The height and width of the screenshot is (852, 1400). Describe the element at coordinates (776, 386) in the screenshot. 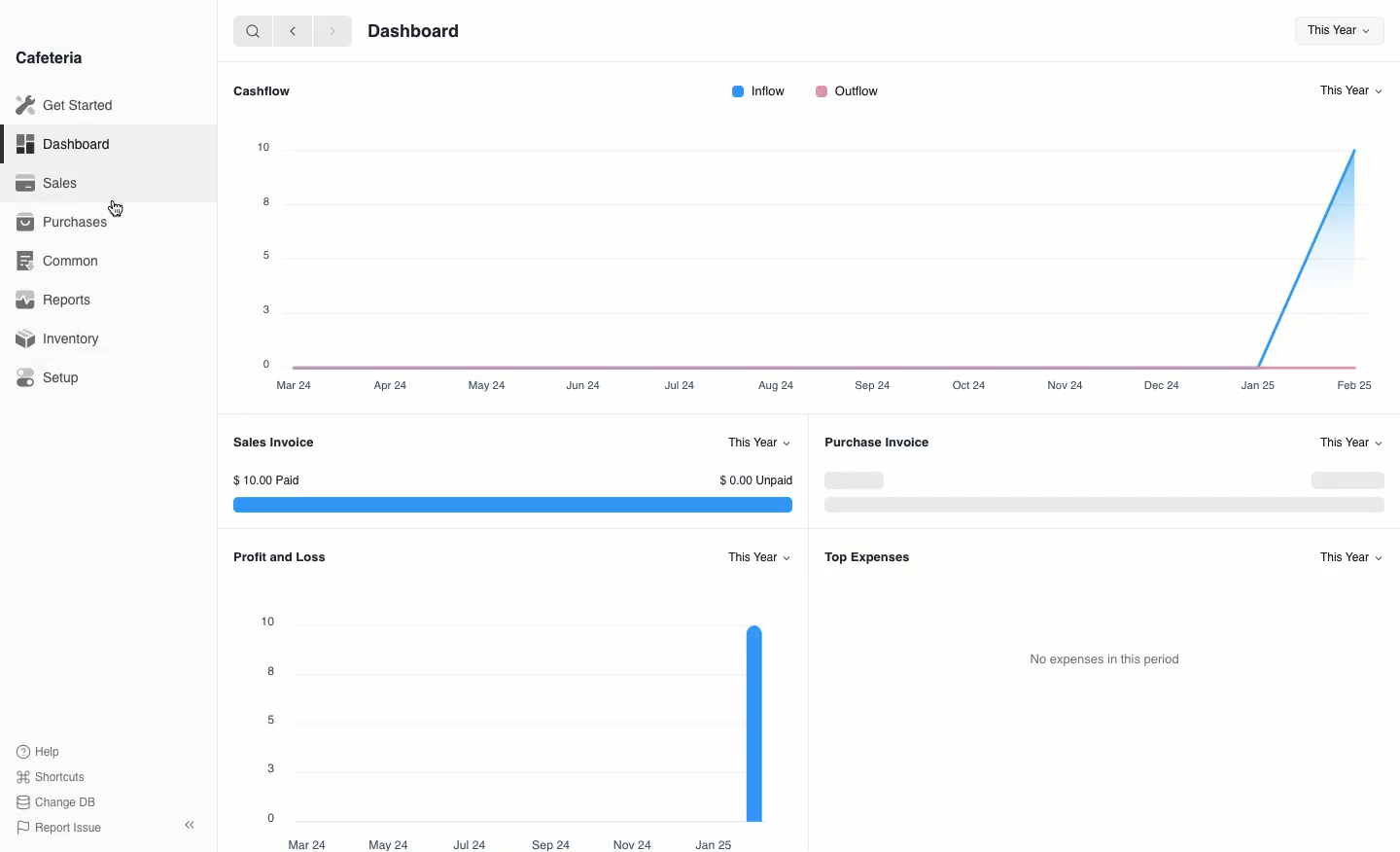

I see `Aug 24.` at that location.